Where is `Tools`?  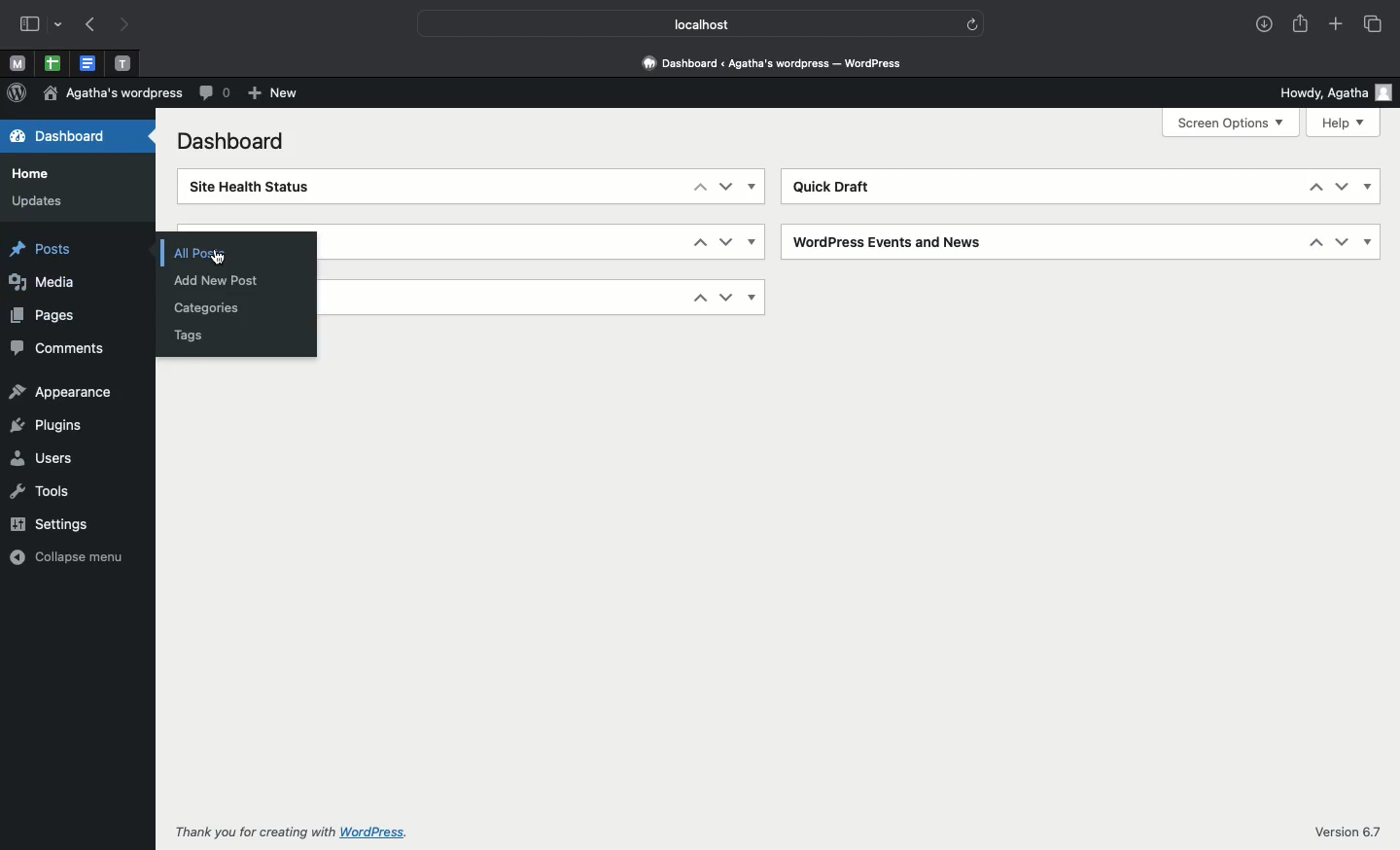 Tools is located at coordinates (41, 492).